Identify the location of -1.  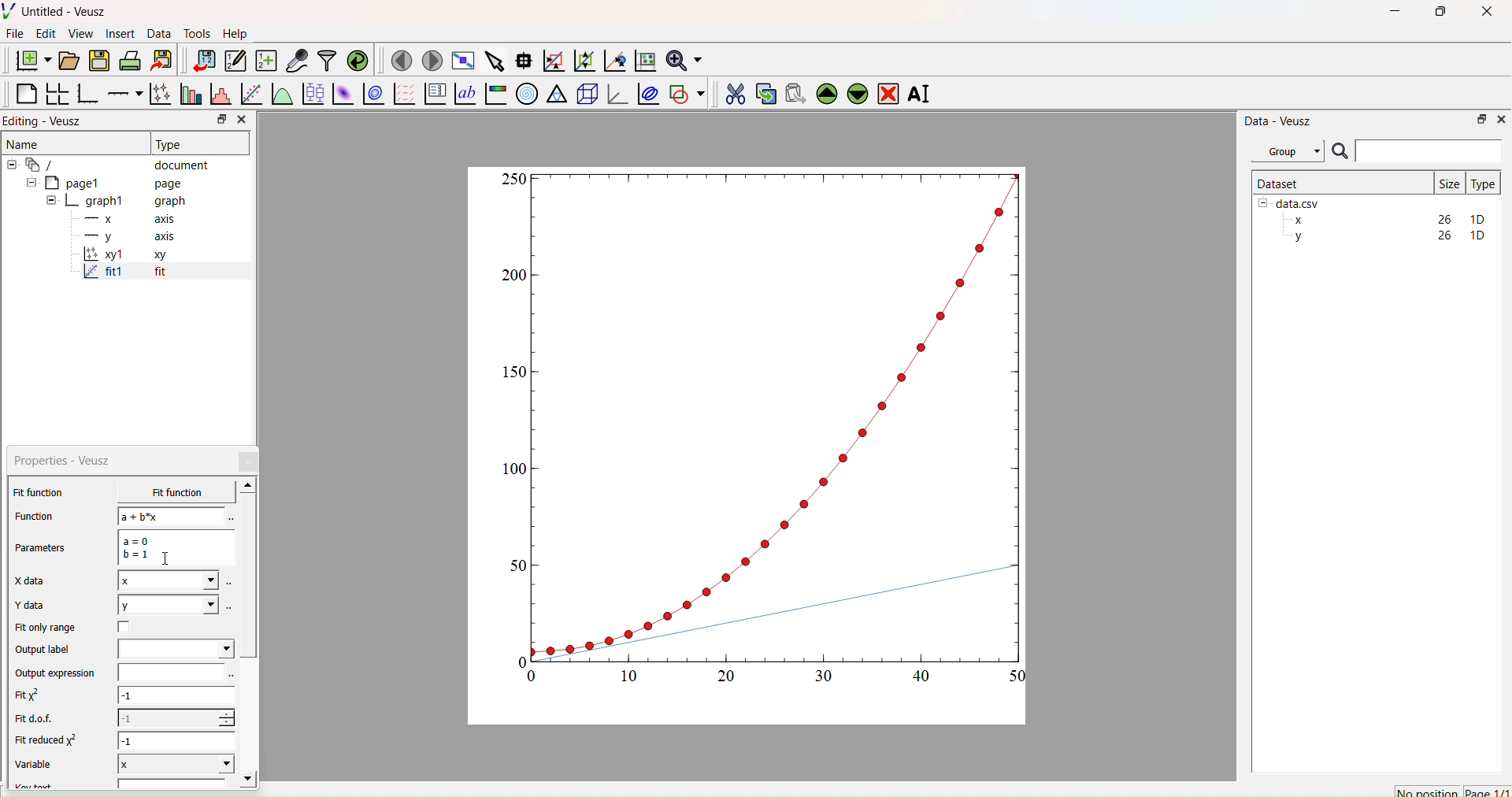
(176, 718).